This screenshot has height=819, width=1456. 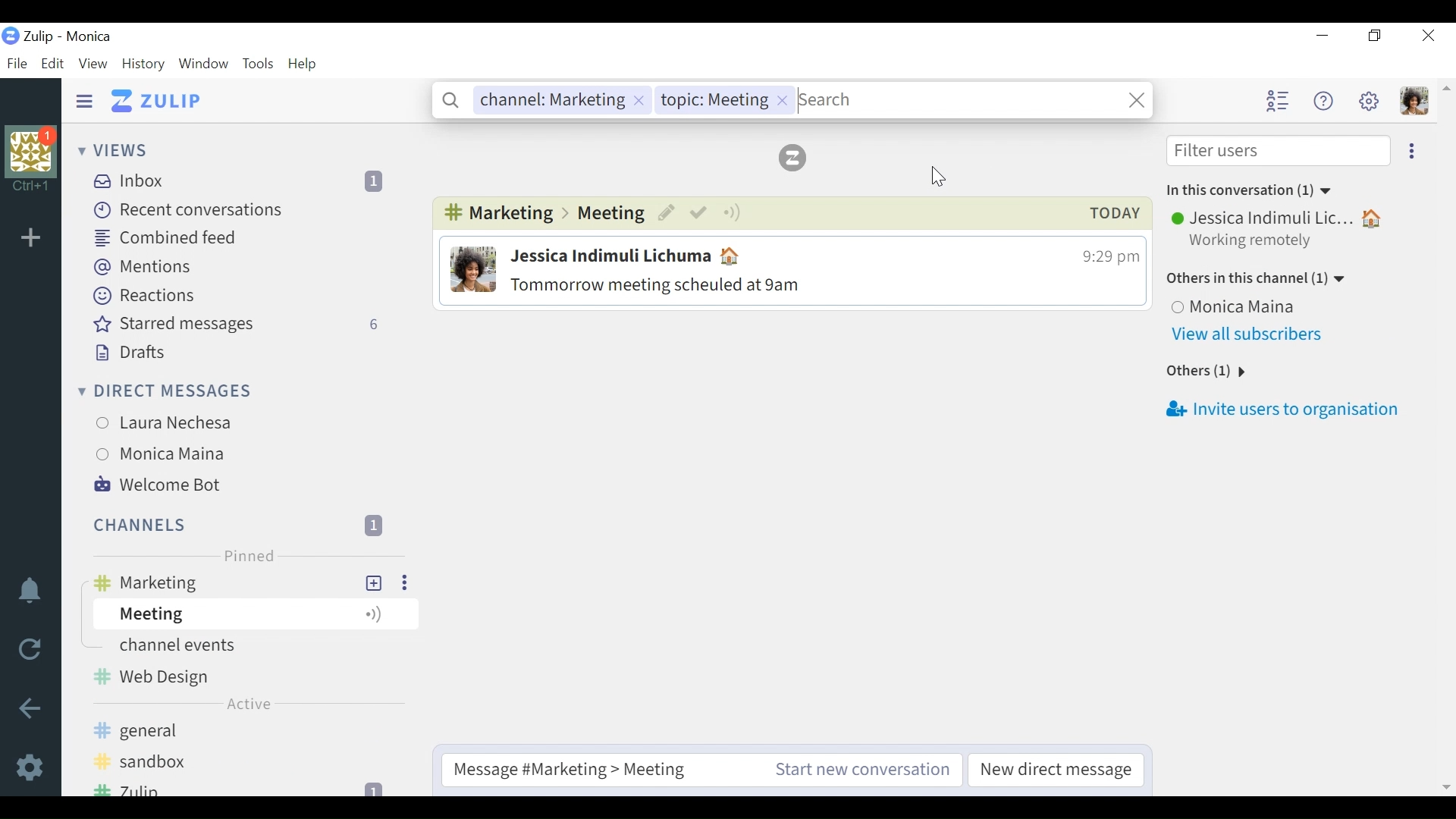 I want to click on general, so click(x=249, y=731).